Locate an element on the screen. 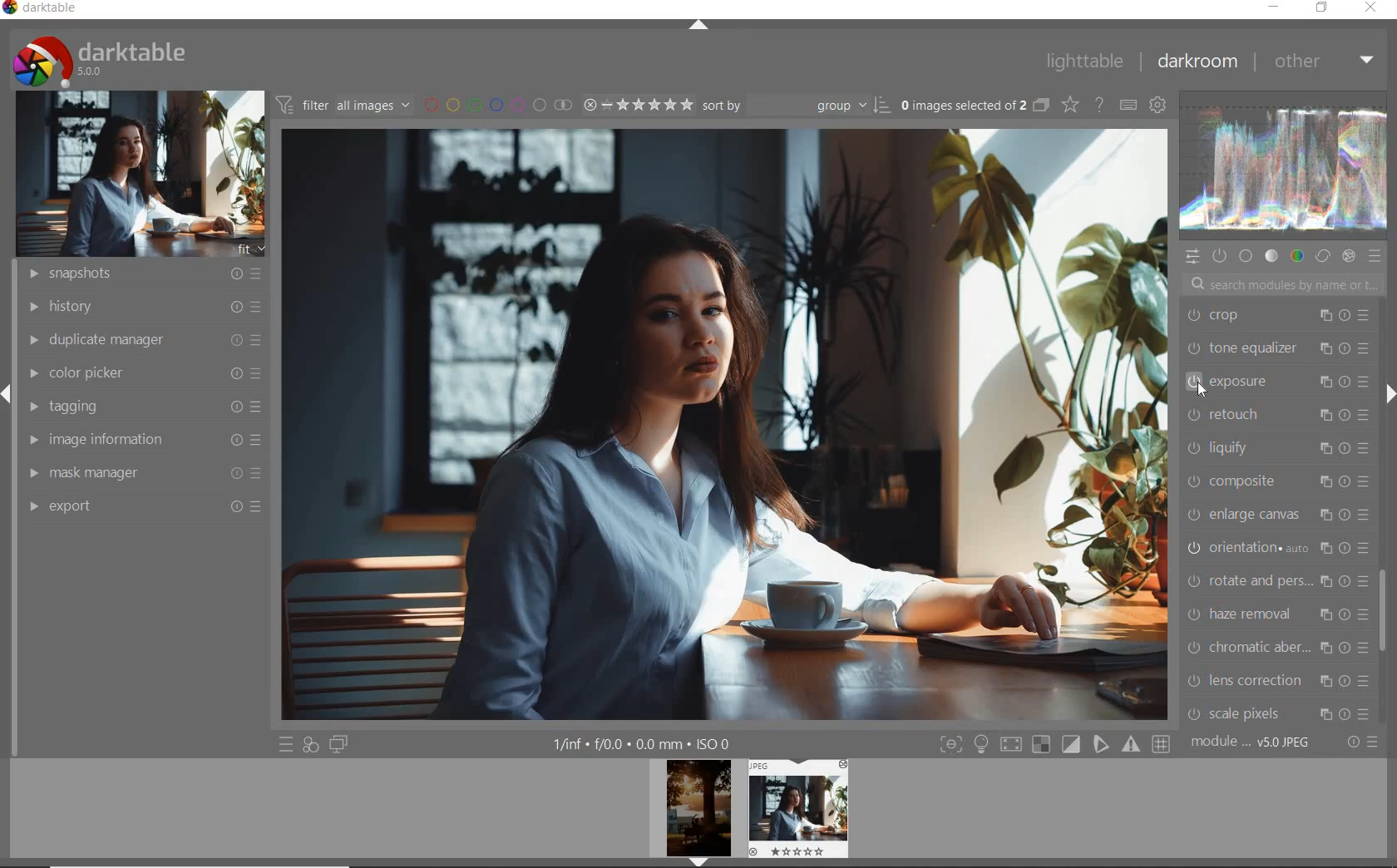 This screenshot has width=1397, height=868. ENABLE FOR ONLINE HELP is located at coordinates (1099, 105).